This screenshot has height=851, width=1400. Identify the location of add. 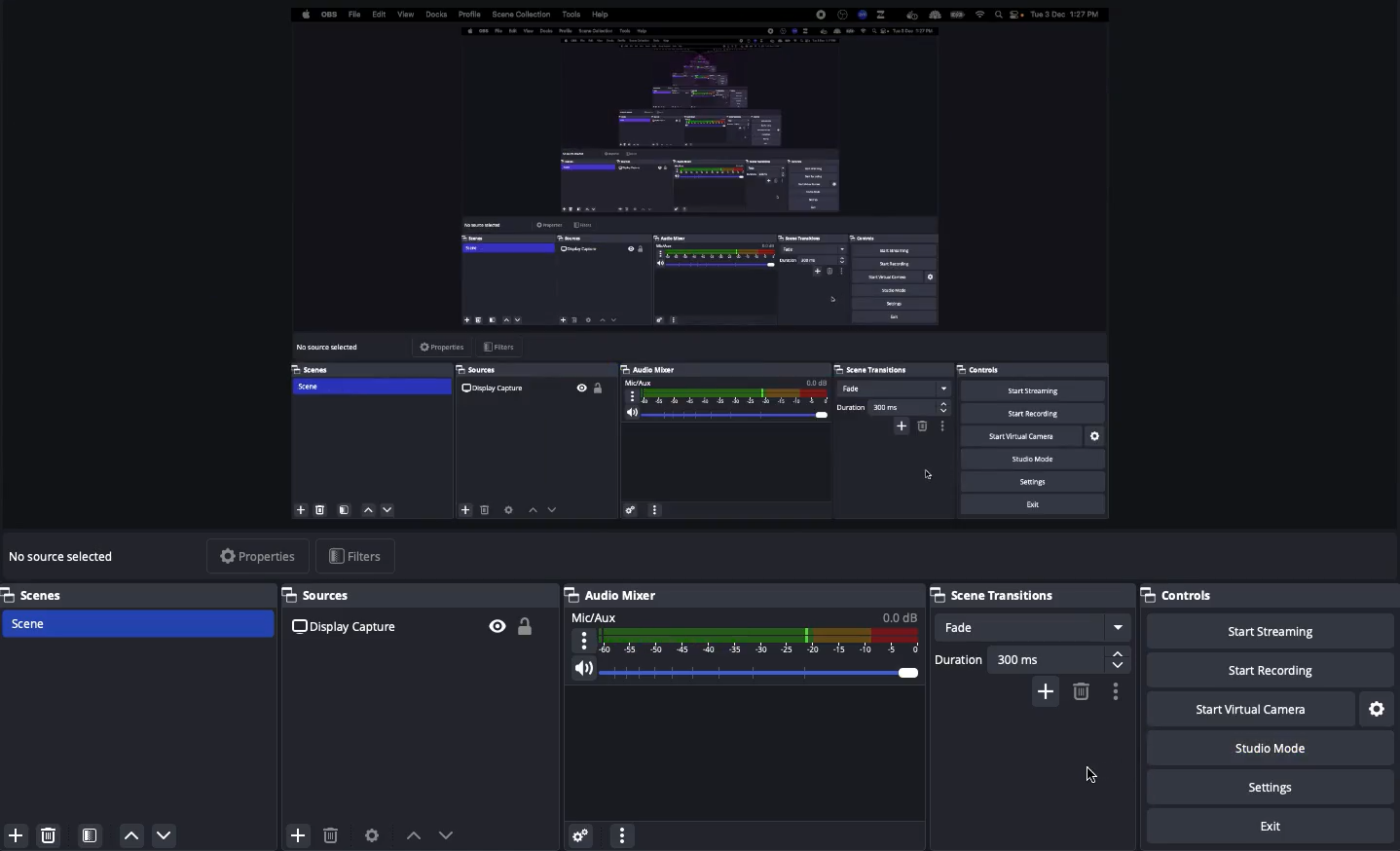
(14, 836).